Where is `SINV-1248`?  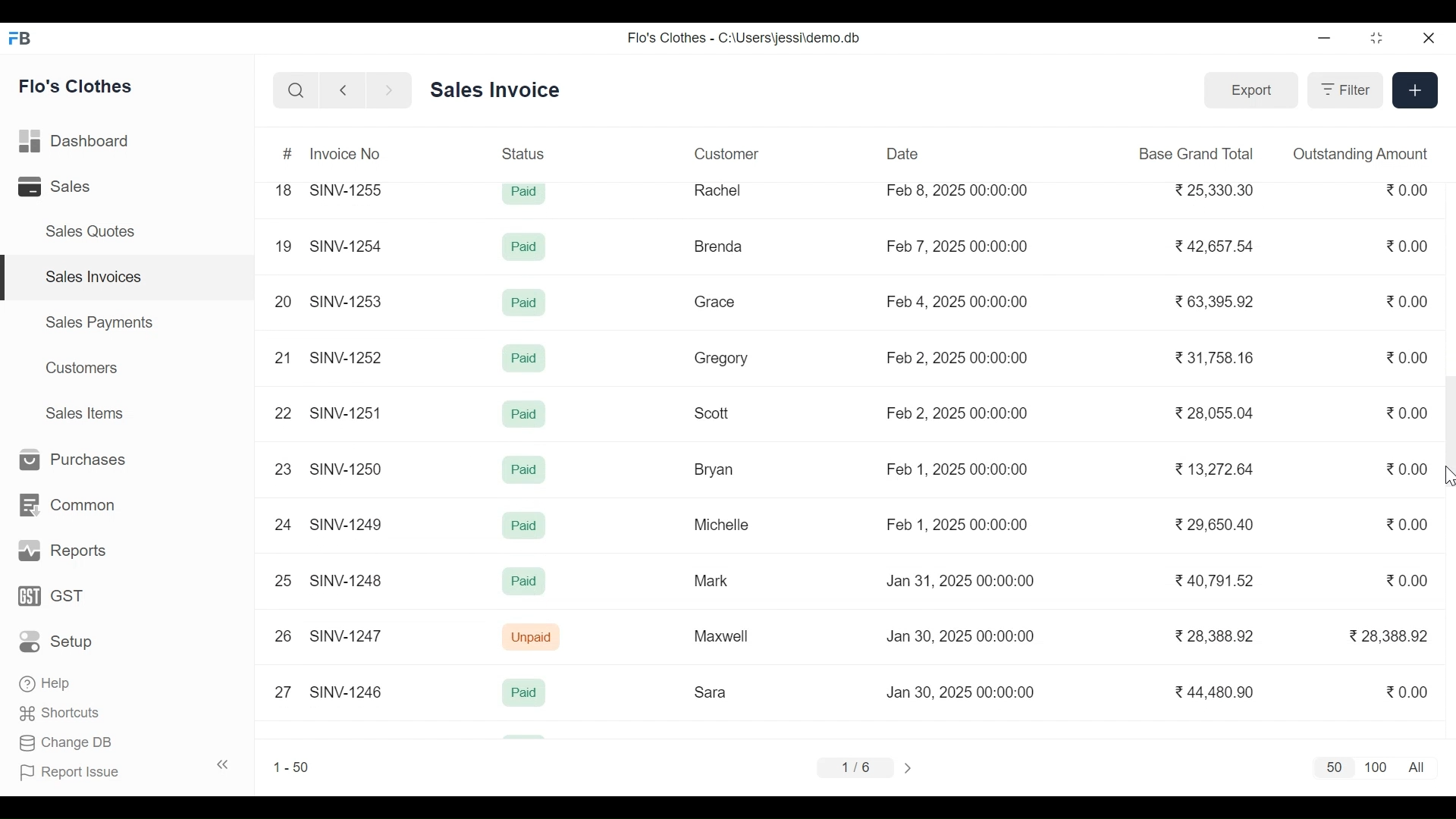 SINV-1248 is located at coordinates (347, 579).